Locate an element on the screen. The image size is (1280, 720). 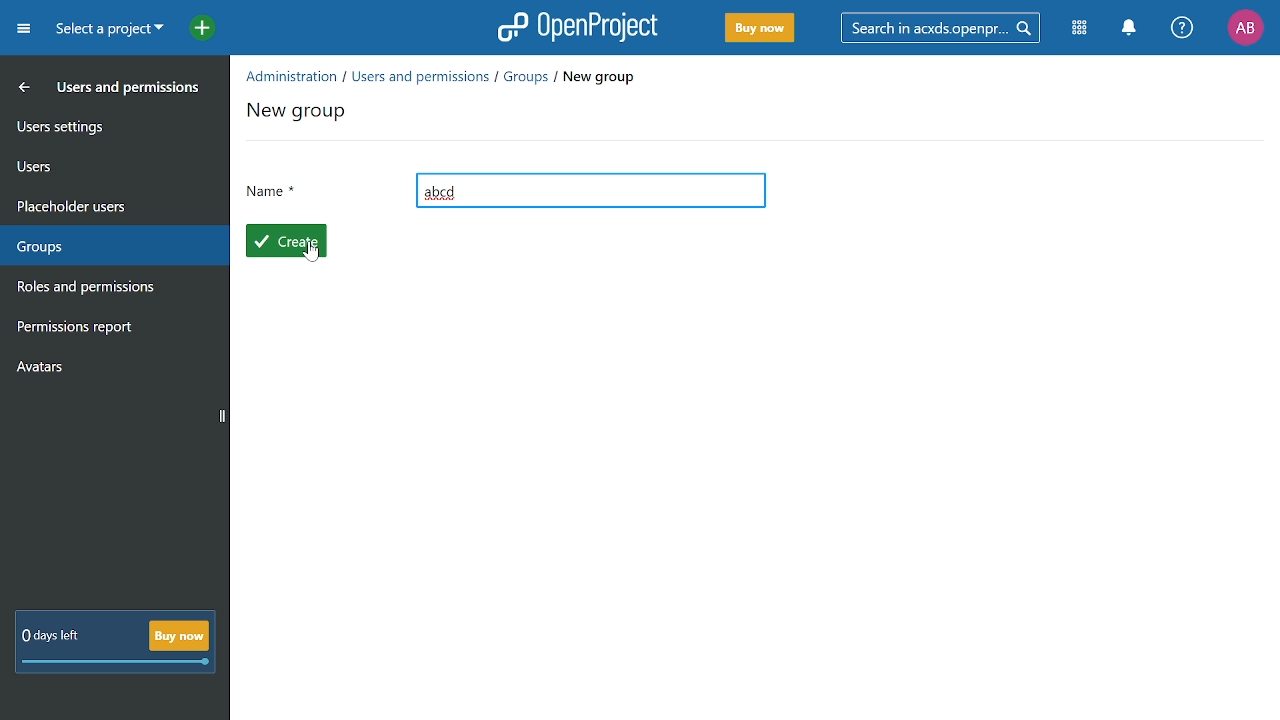
Notification is located at coordinates (1128, 28).